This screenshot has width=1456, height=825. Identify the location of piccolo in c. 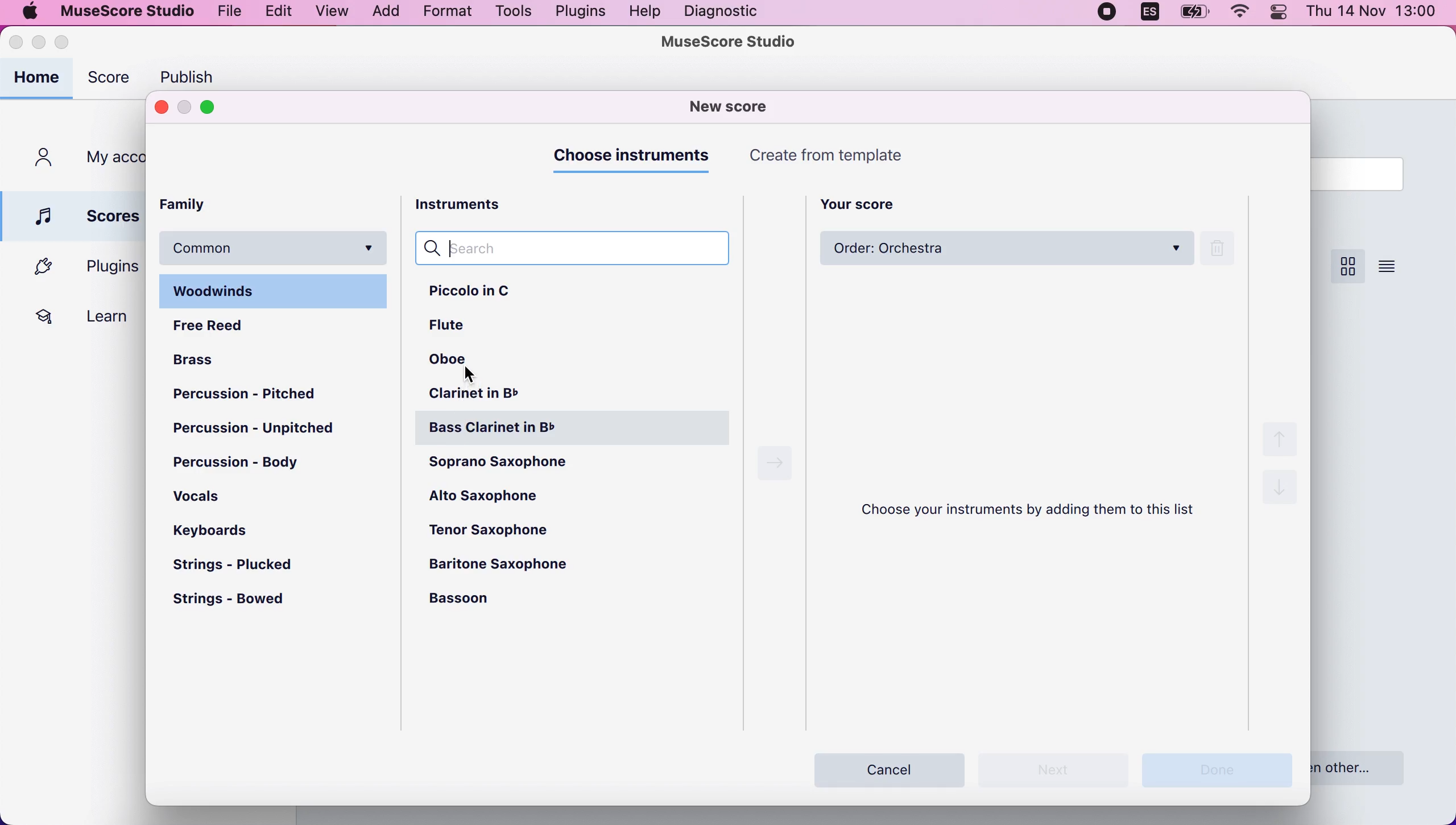
(495, 294).